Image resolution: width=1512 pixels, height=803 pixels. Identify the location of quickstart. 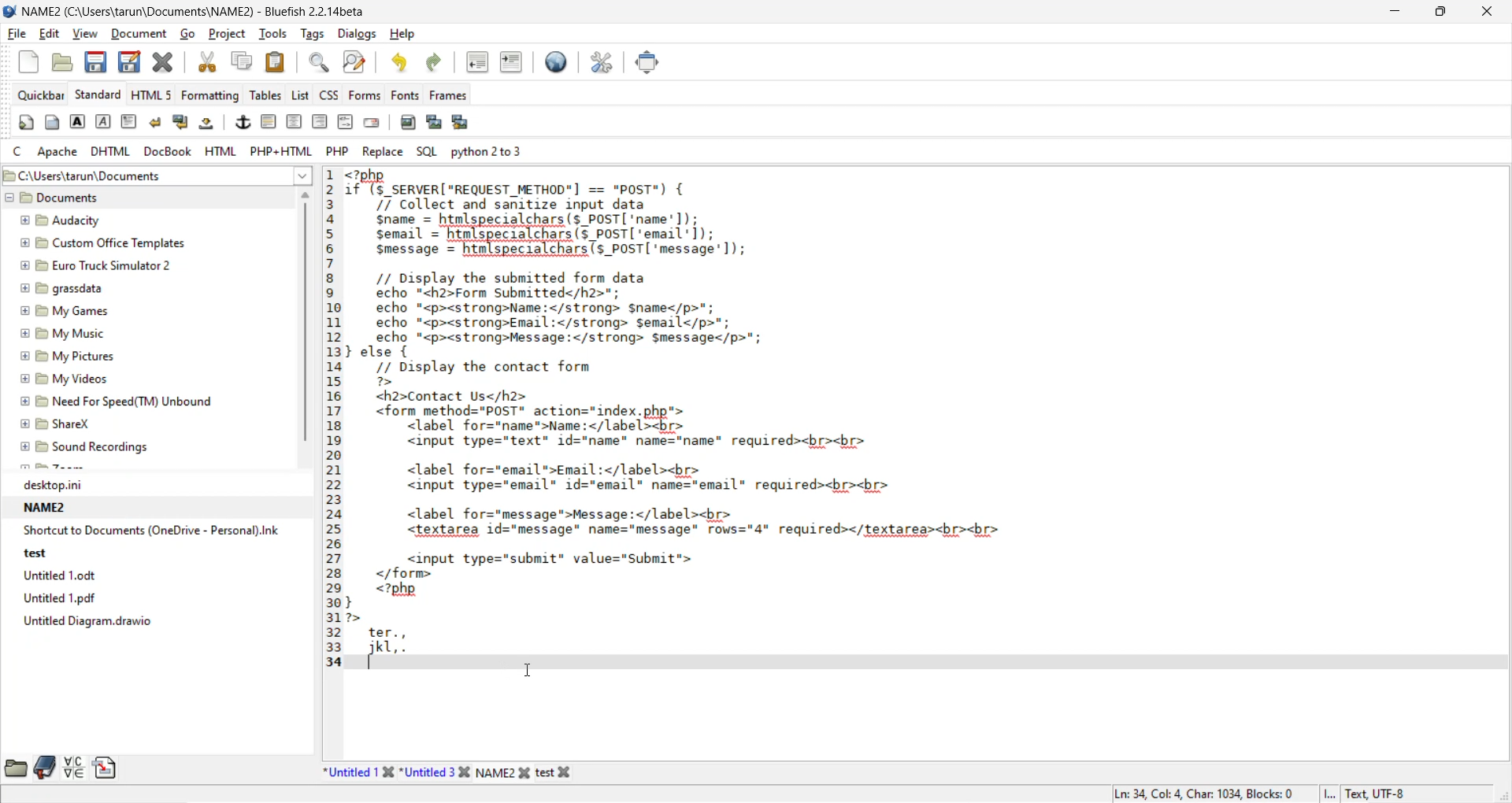
(28, 124).